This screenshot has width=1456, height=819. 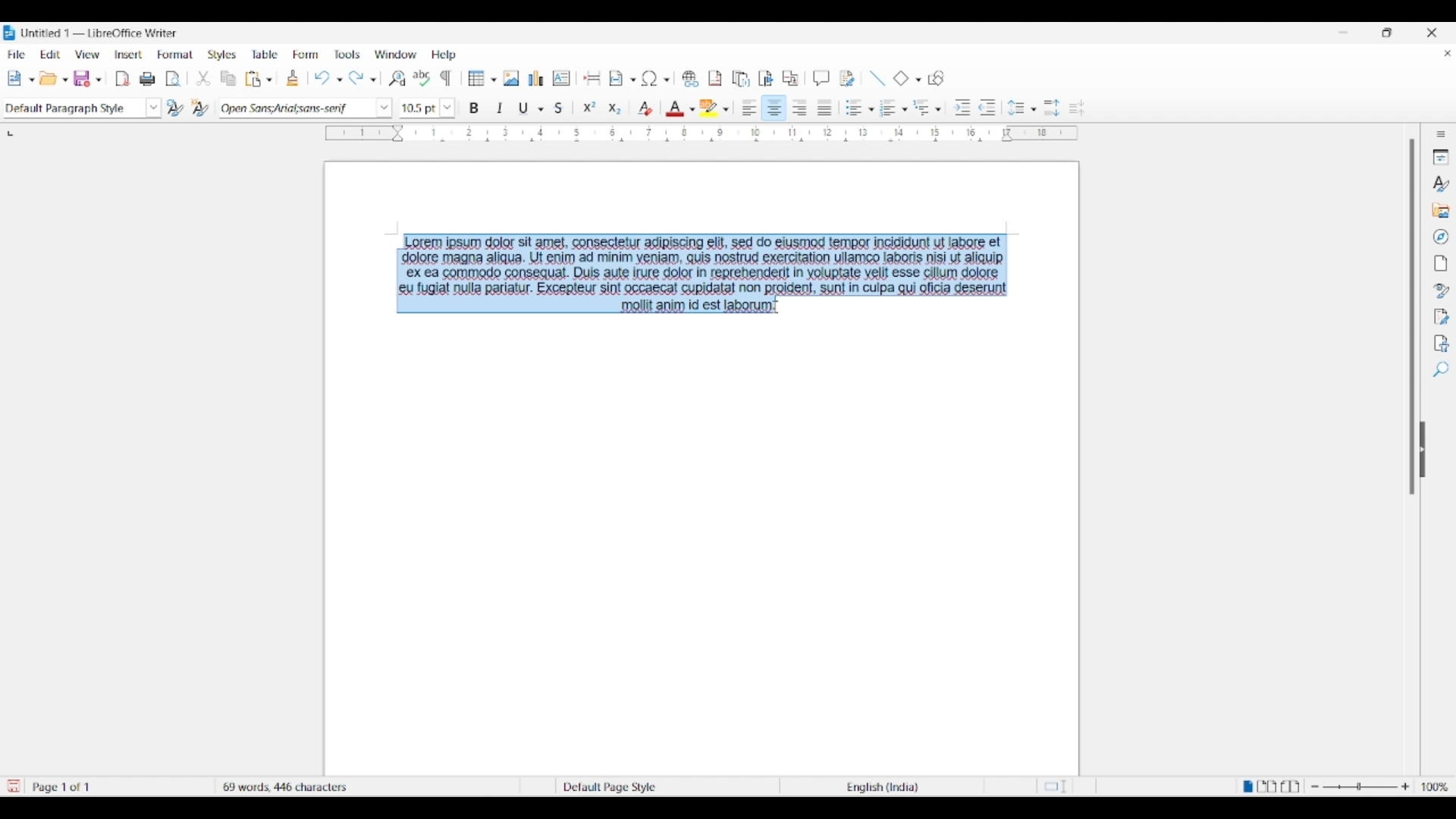 I want to click on Gallery, so click(x=1440, y=210).